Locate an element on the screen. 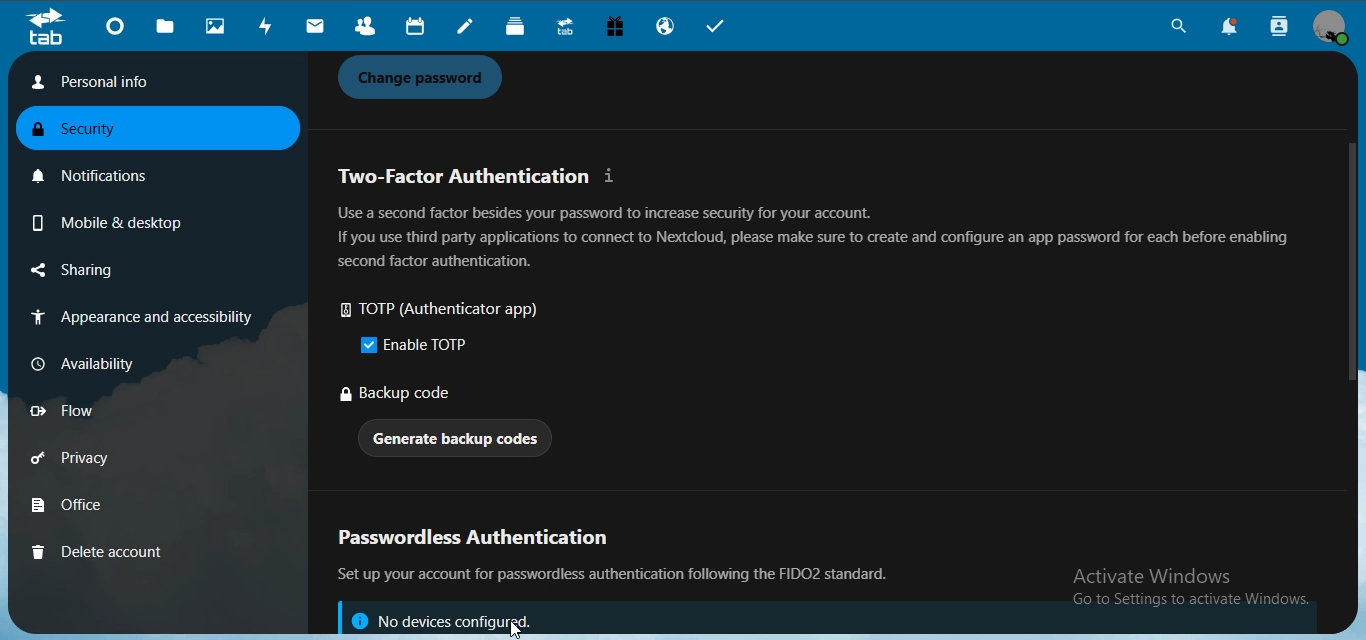  personal info is located at coordinates (149, 82).